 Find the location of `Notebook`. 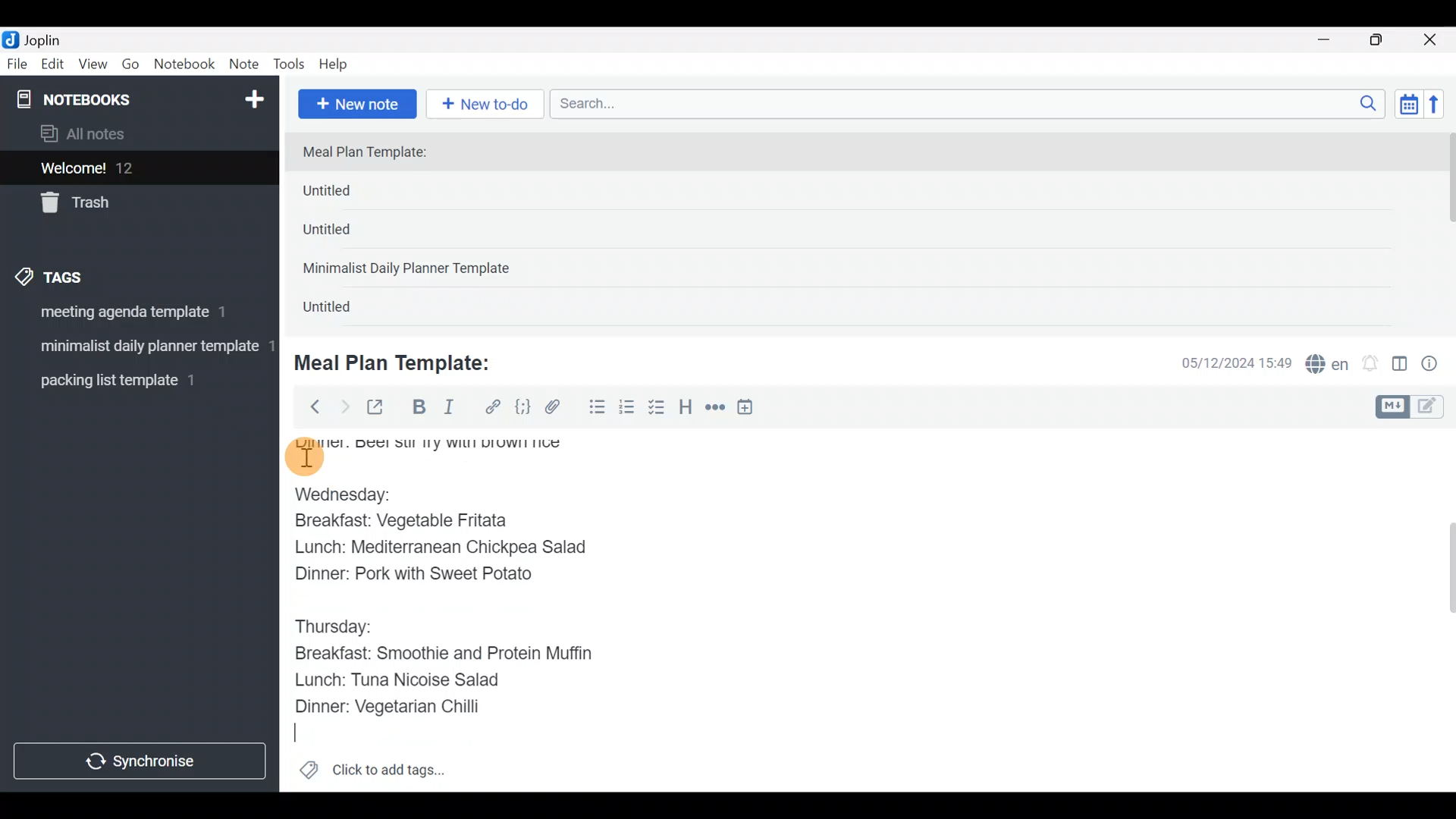

Notebook is located at coordinates (185, 64).